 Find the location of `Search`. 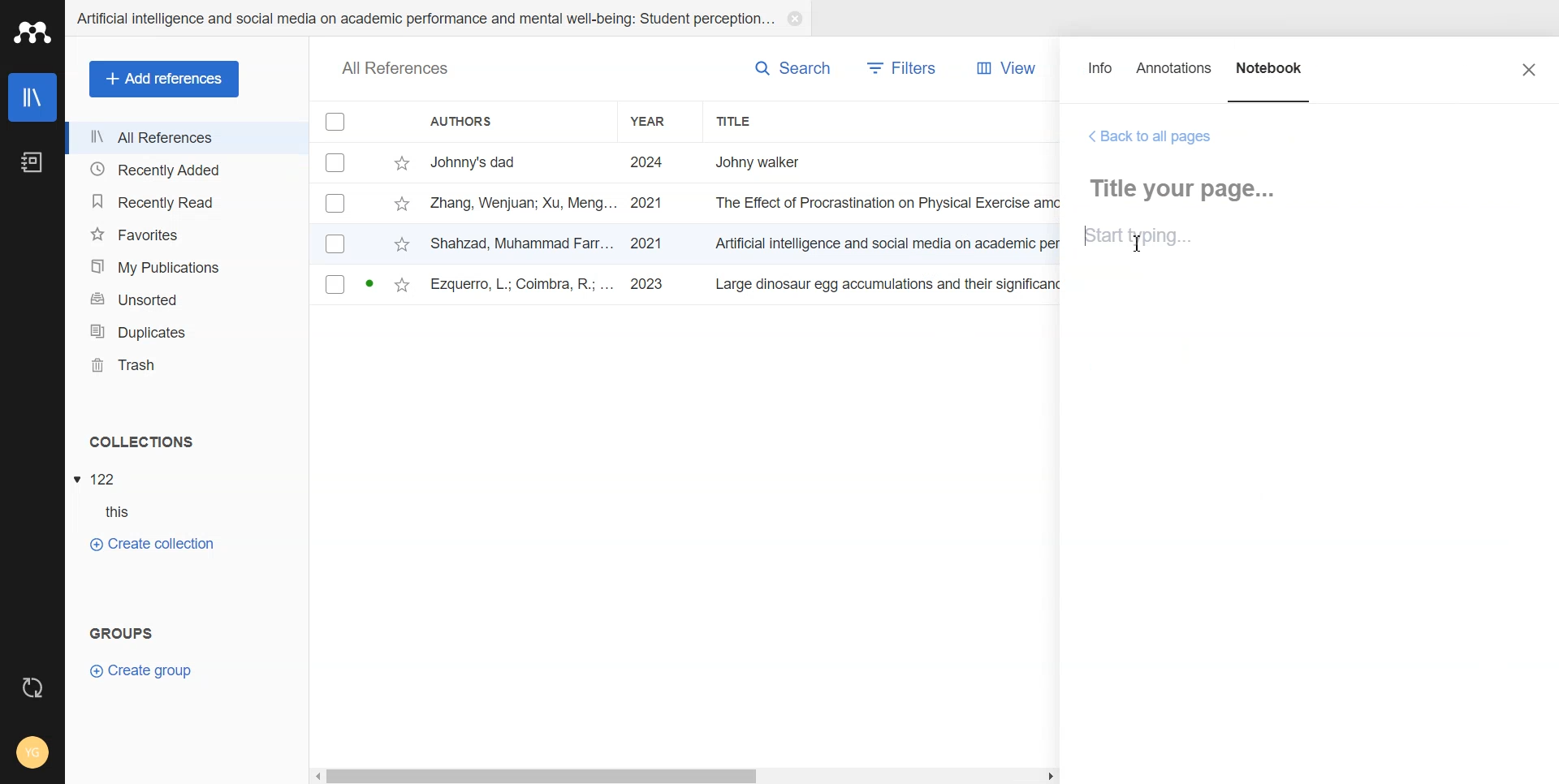

Search is located at coordinates (792, 67).